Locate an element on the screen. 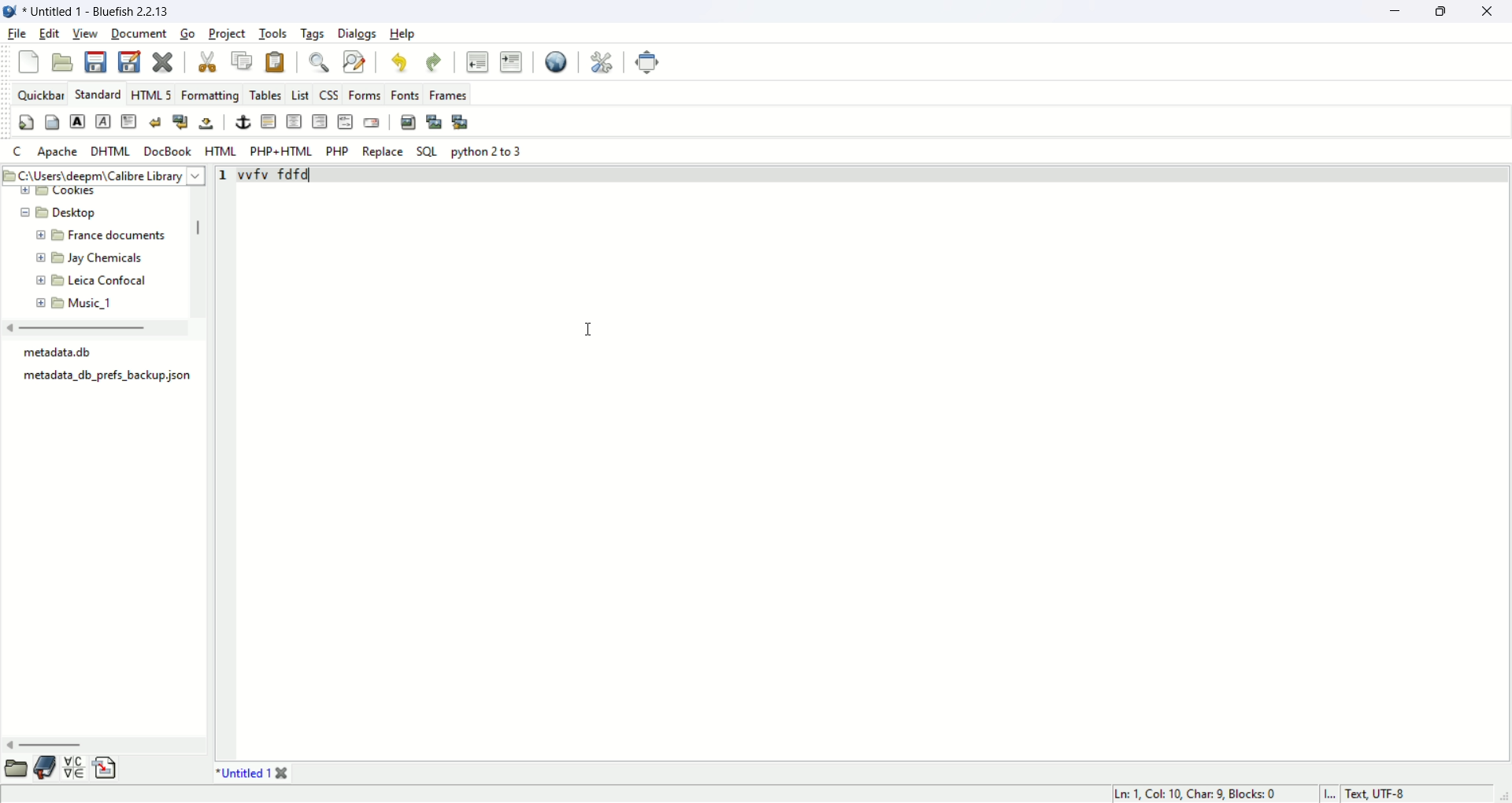  Leica Confocal is located at coordinates (109, 283).